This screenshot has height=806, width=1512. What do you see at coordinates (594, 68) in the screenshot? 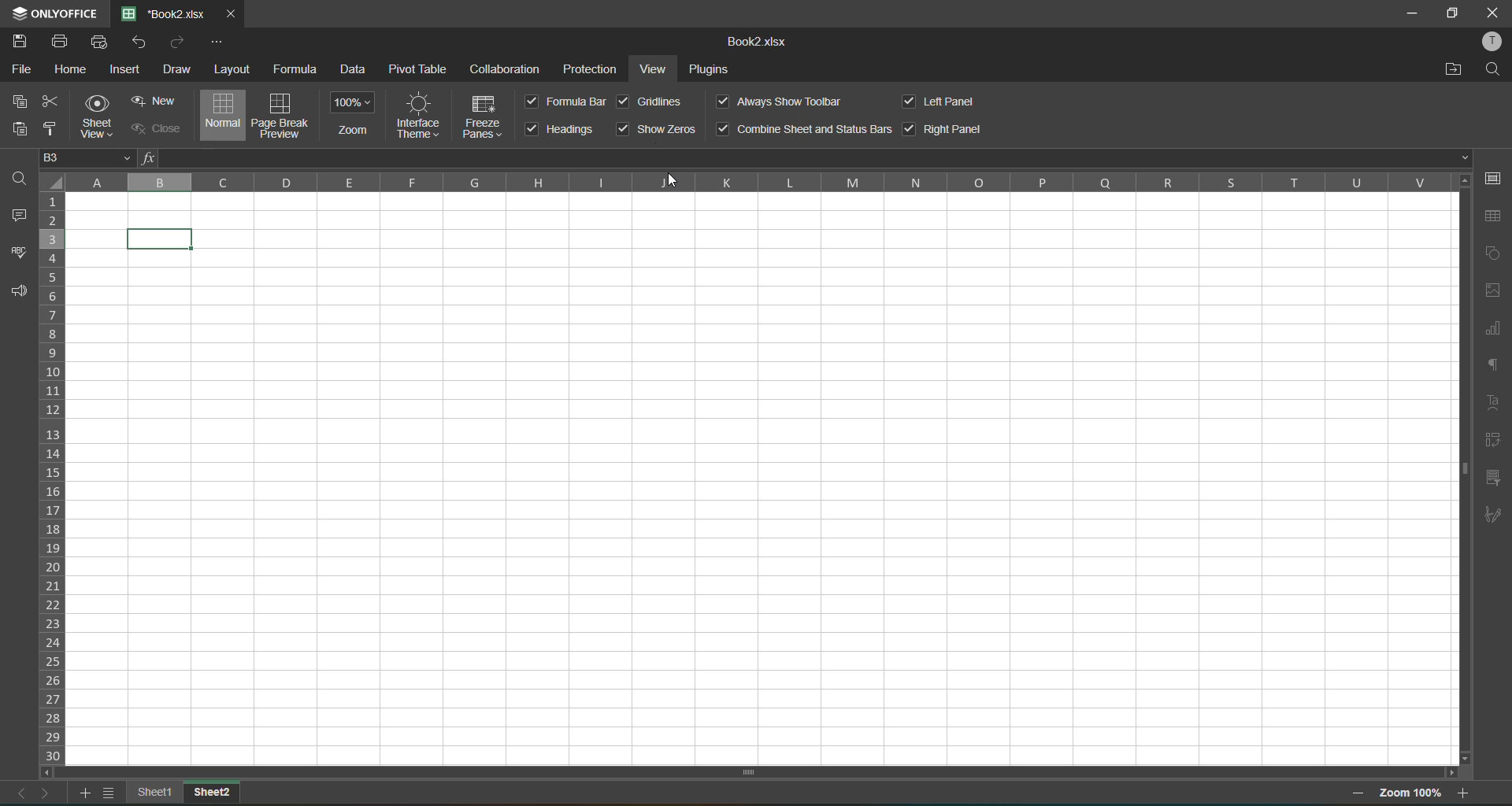
I see `protection` at bounding box center [594, 68].